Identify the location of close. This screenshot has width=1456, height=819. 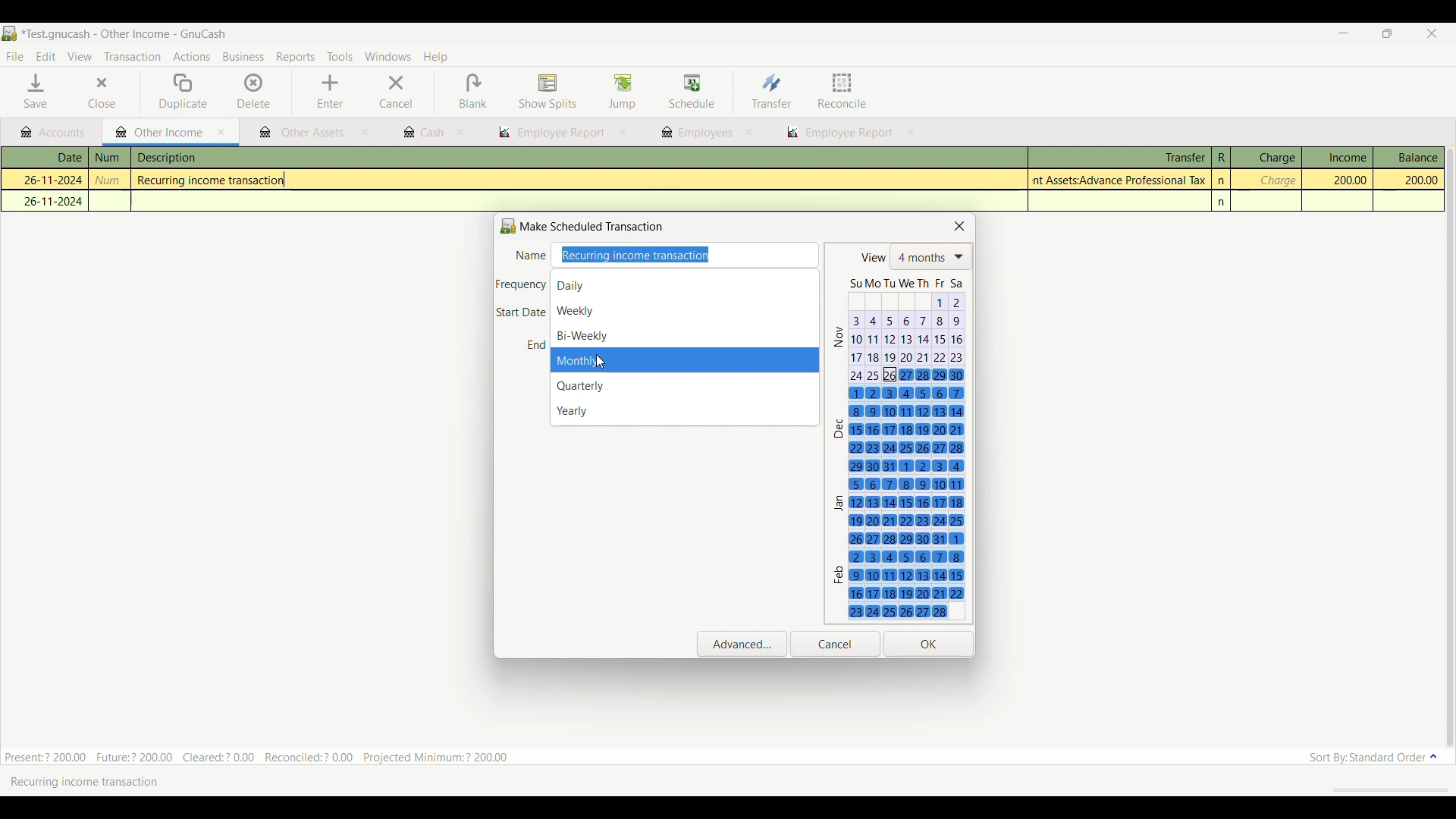
(623, 133).